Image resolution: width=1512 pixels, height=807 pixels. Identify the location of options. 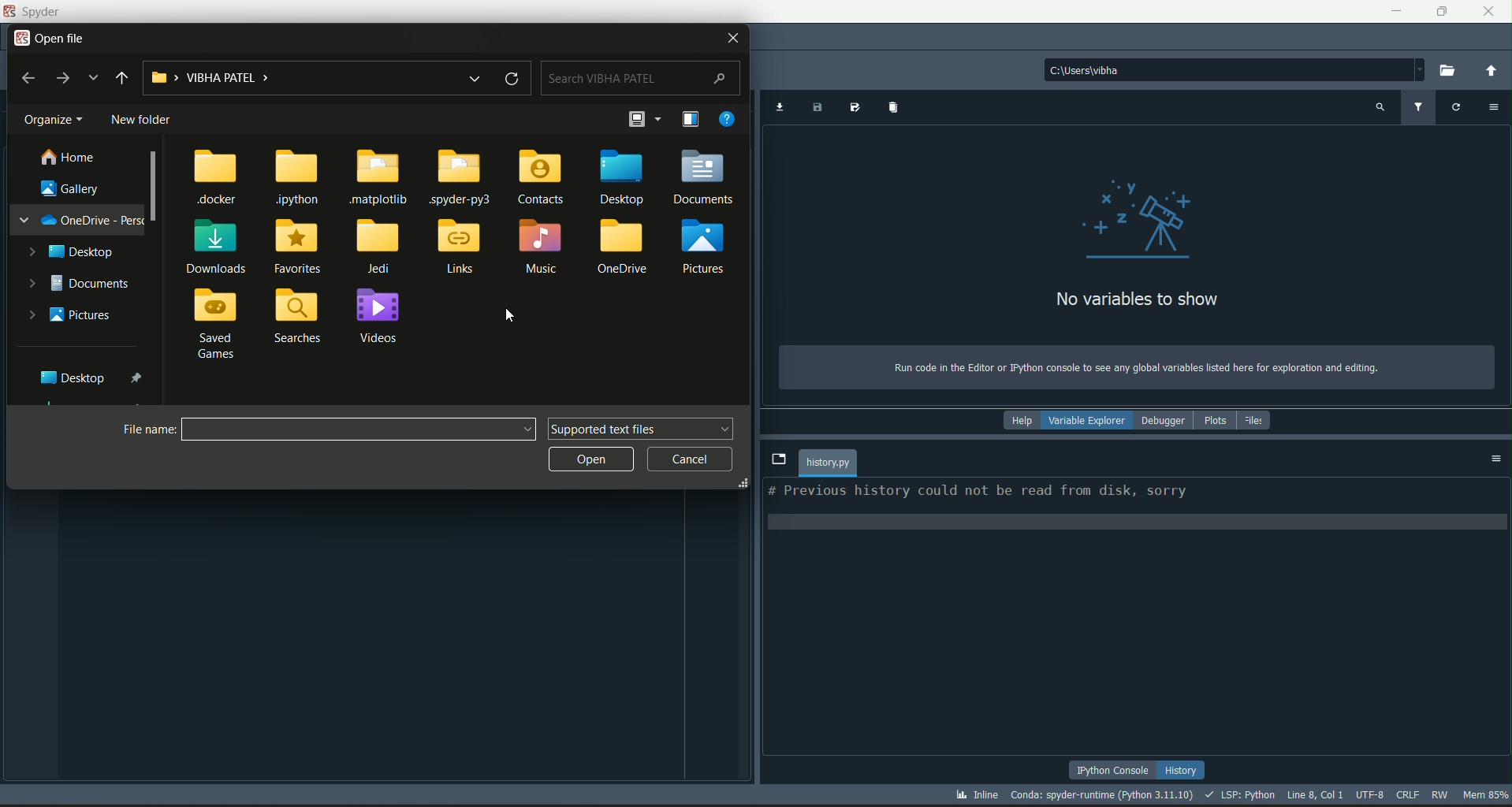
(1492, 109).